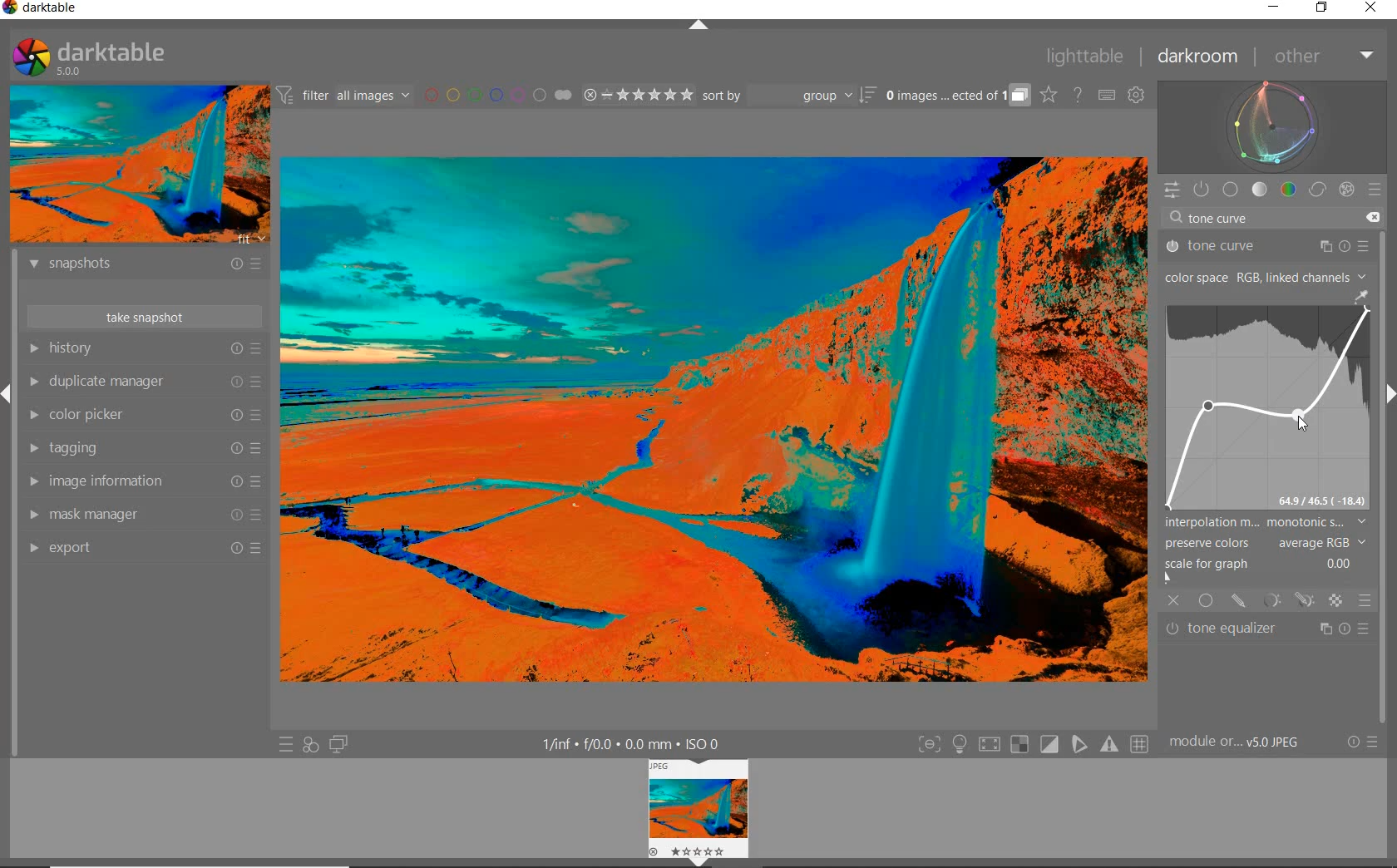 The width and height of the screenshot is (1397, 868). Describe the element at coordinates (1173, 601) in the screenshot. I see `OFF` at that location.